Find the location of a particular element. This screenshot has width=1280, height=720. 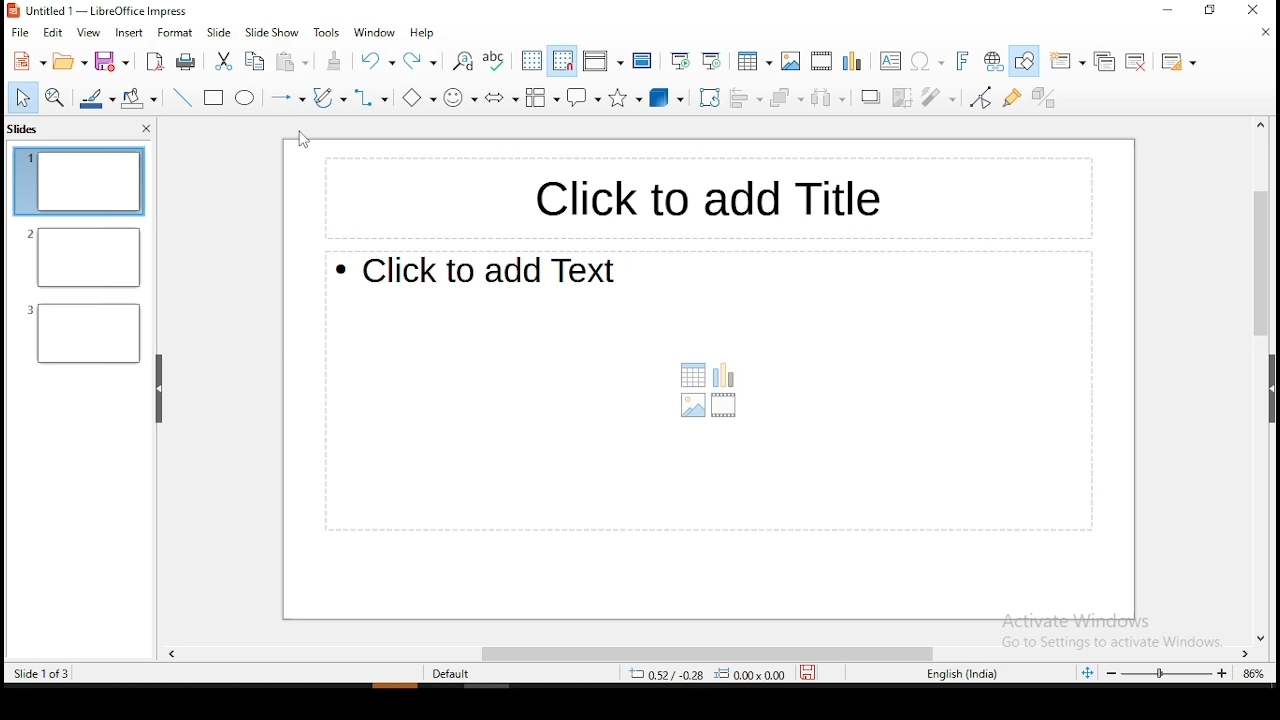

copy is located at coordinates (255, 62).